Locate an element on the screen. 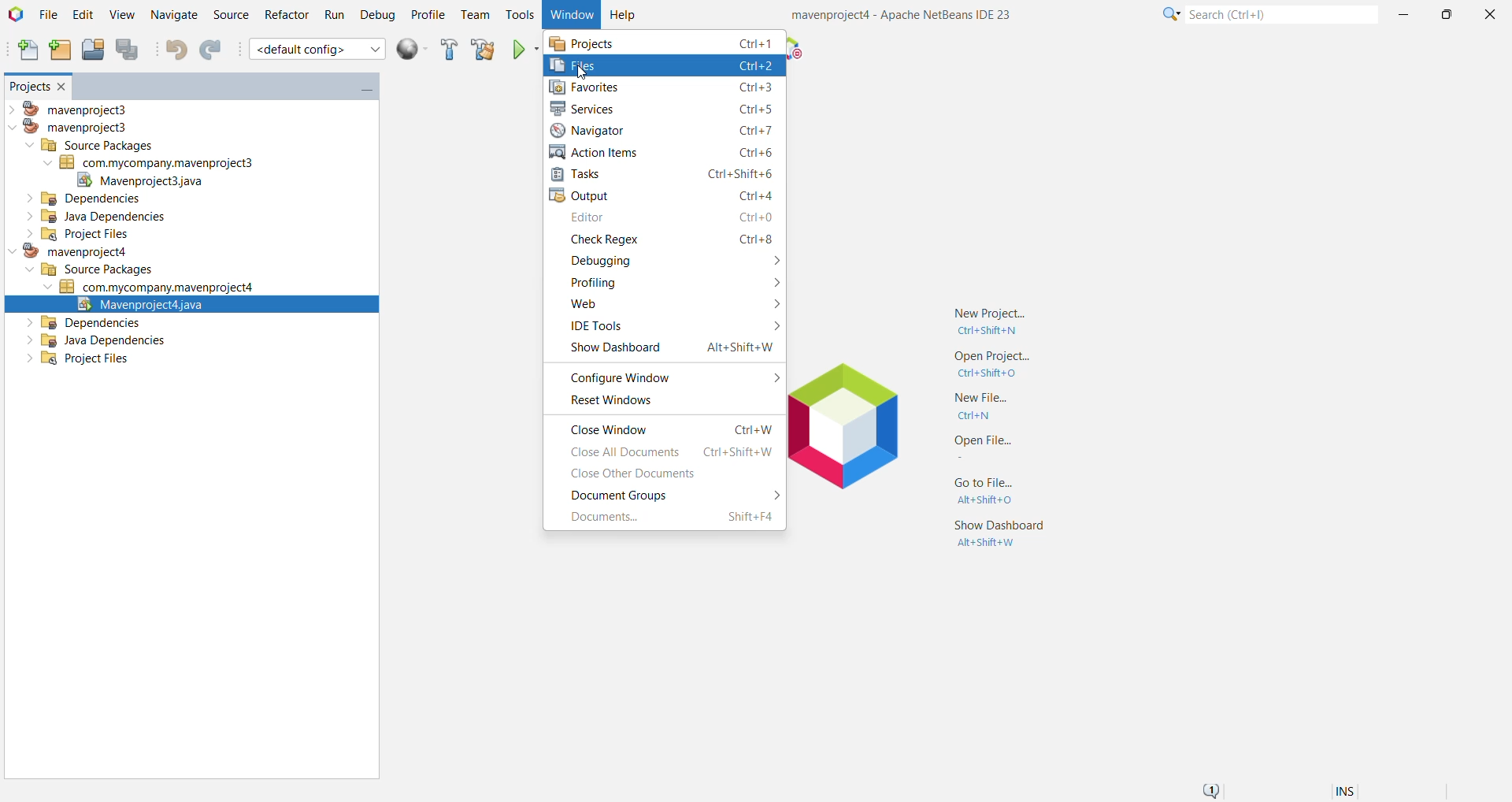 The width and height of the screenshot is (1512, 802). New File is located at coordinates (24, 50).